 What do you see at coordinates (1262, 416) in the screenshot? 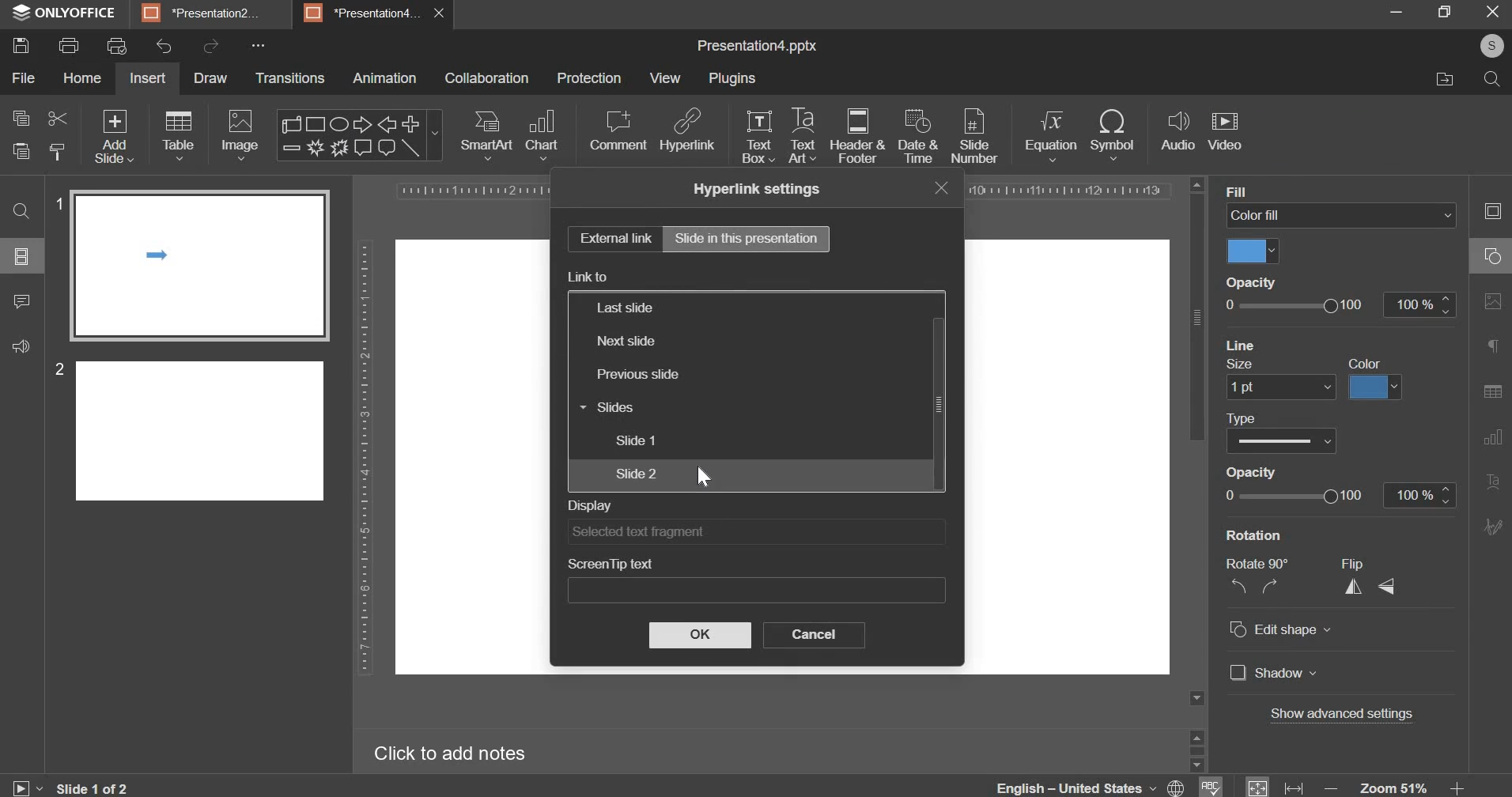
I see `` at bounding box center [1262, 416].